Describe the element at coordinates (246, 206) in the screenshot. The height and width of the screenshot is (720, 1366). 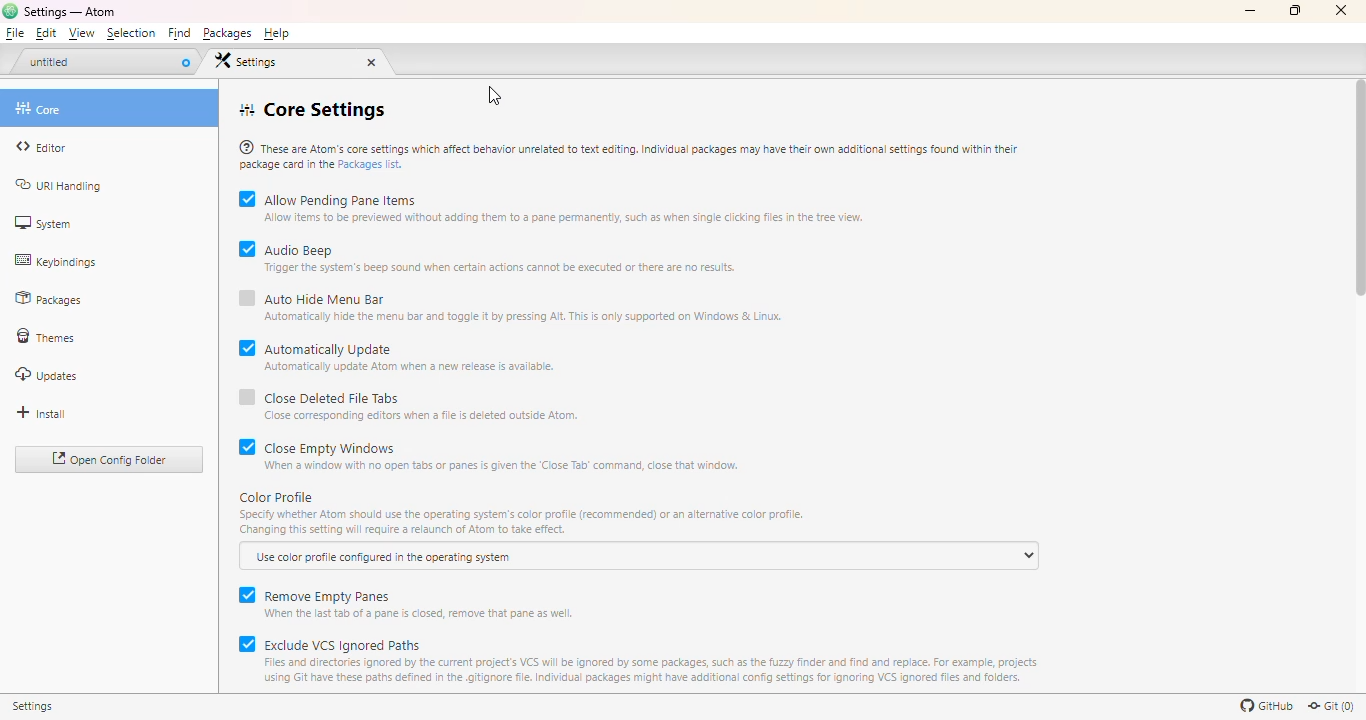
I see `checkbox` at that location.